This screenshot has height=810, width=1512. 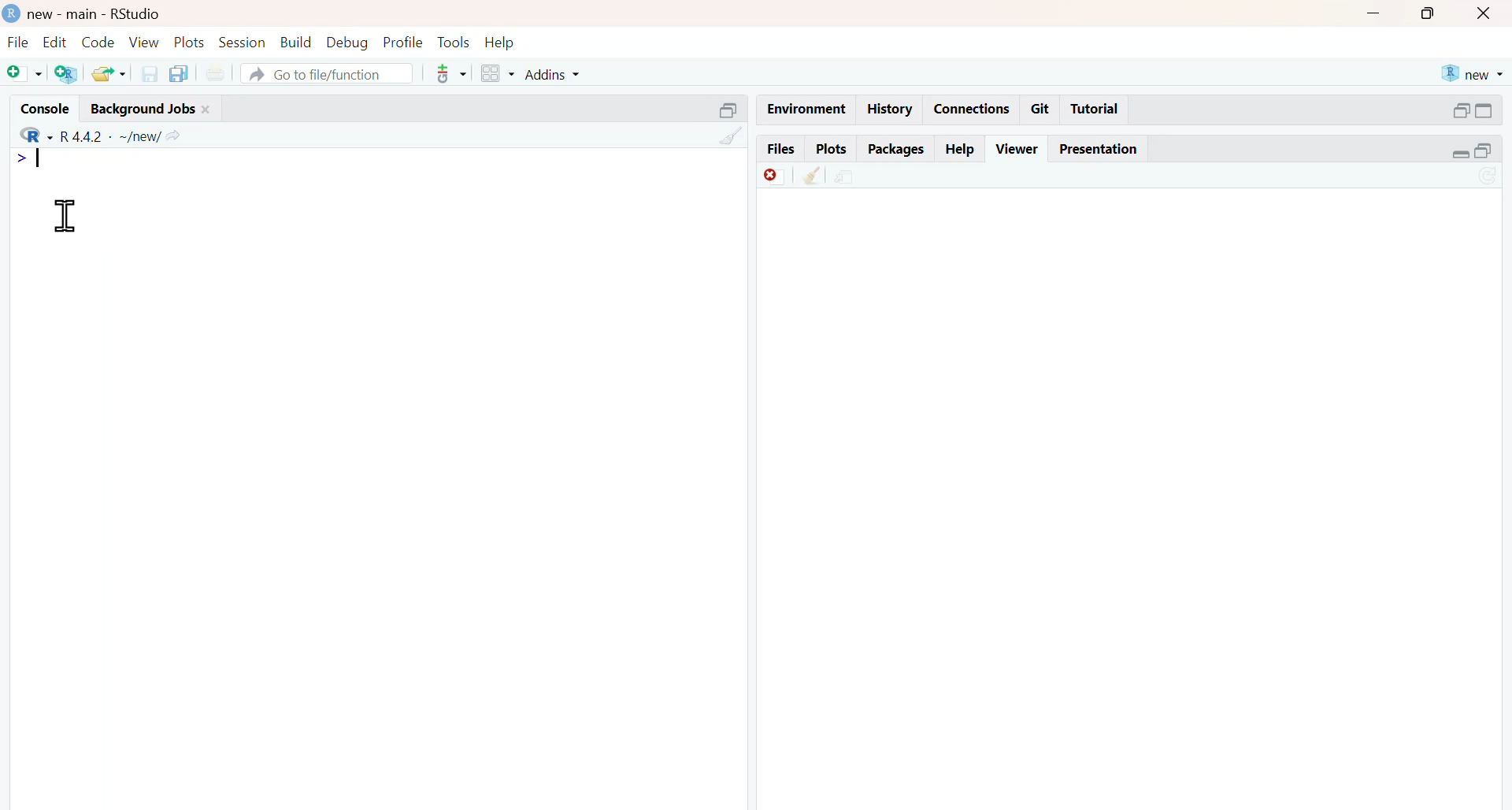 What do you see at coordinates (1485, 110) in the screenshot?
I see `expand/collapse` at bounding box center [1485, 110].